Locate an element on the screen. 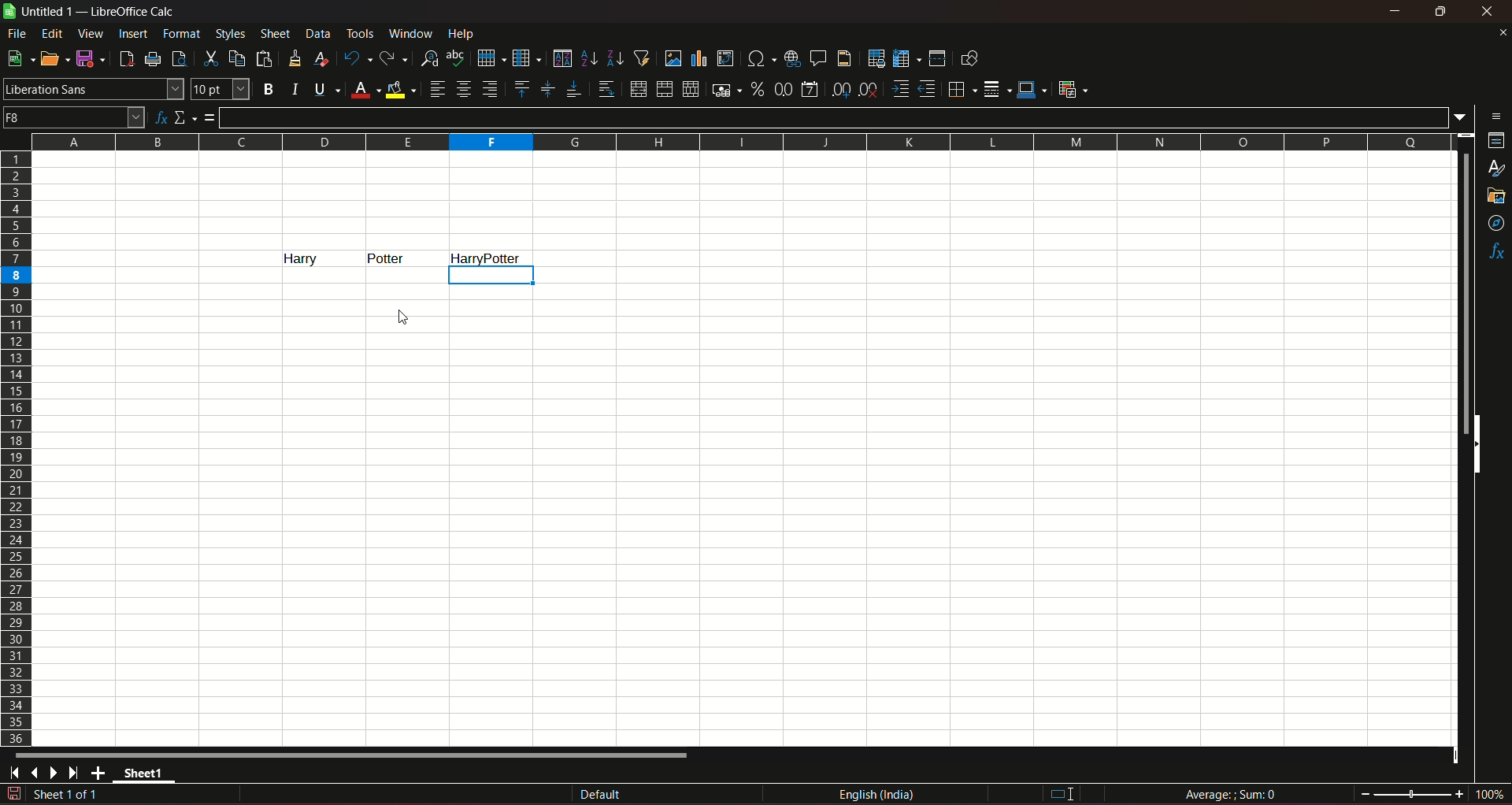 Image resolution: width=1512 pixels, height=805 pixels. columns is located at coordinates (738, 139).